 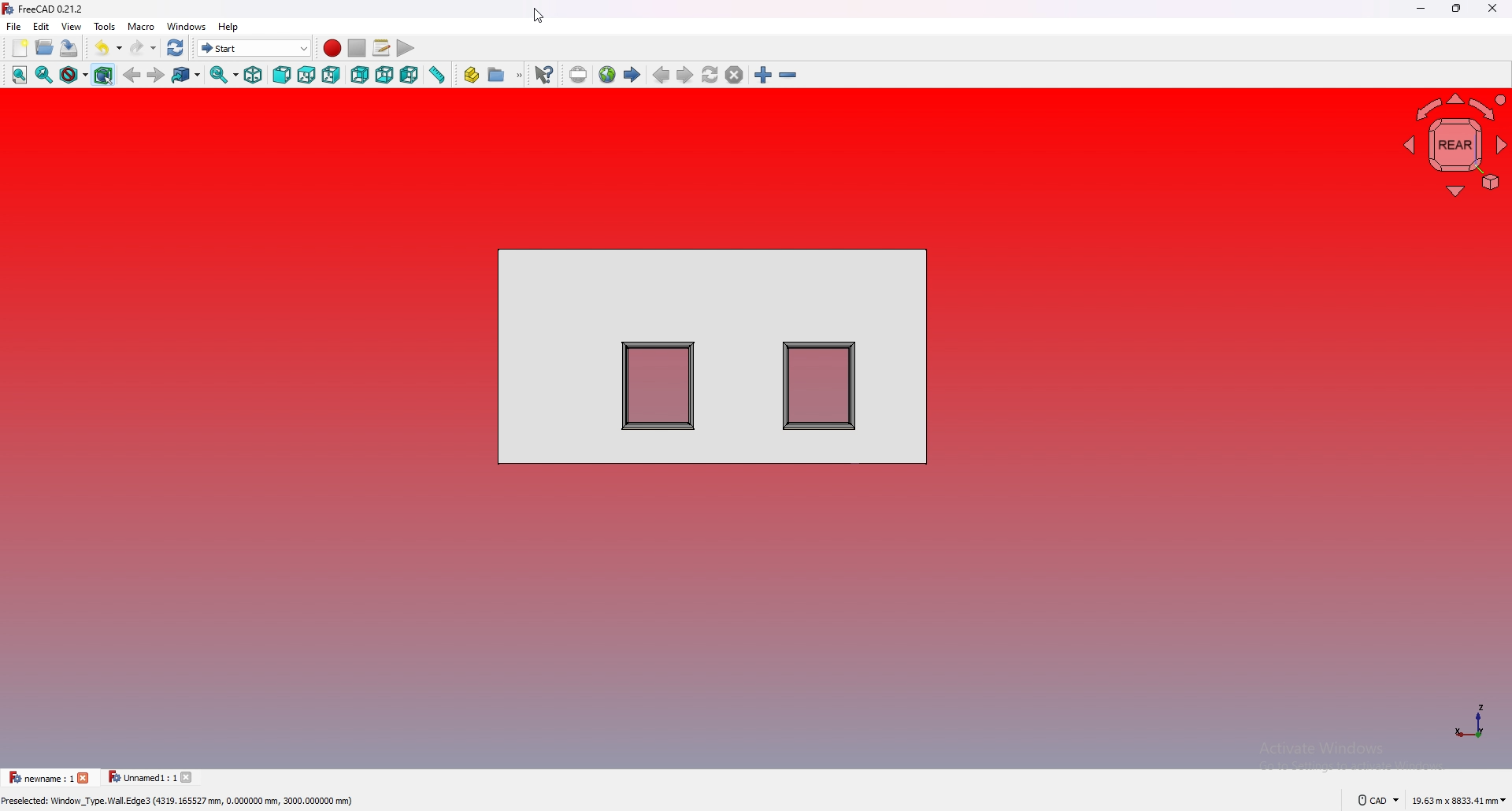 What do you see at coordinates (45, 75) in the screenshot?
I see `fit selection` at bounding box center [45, 75].